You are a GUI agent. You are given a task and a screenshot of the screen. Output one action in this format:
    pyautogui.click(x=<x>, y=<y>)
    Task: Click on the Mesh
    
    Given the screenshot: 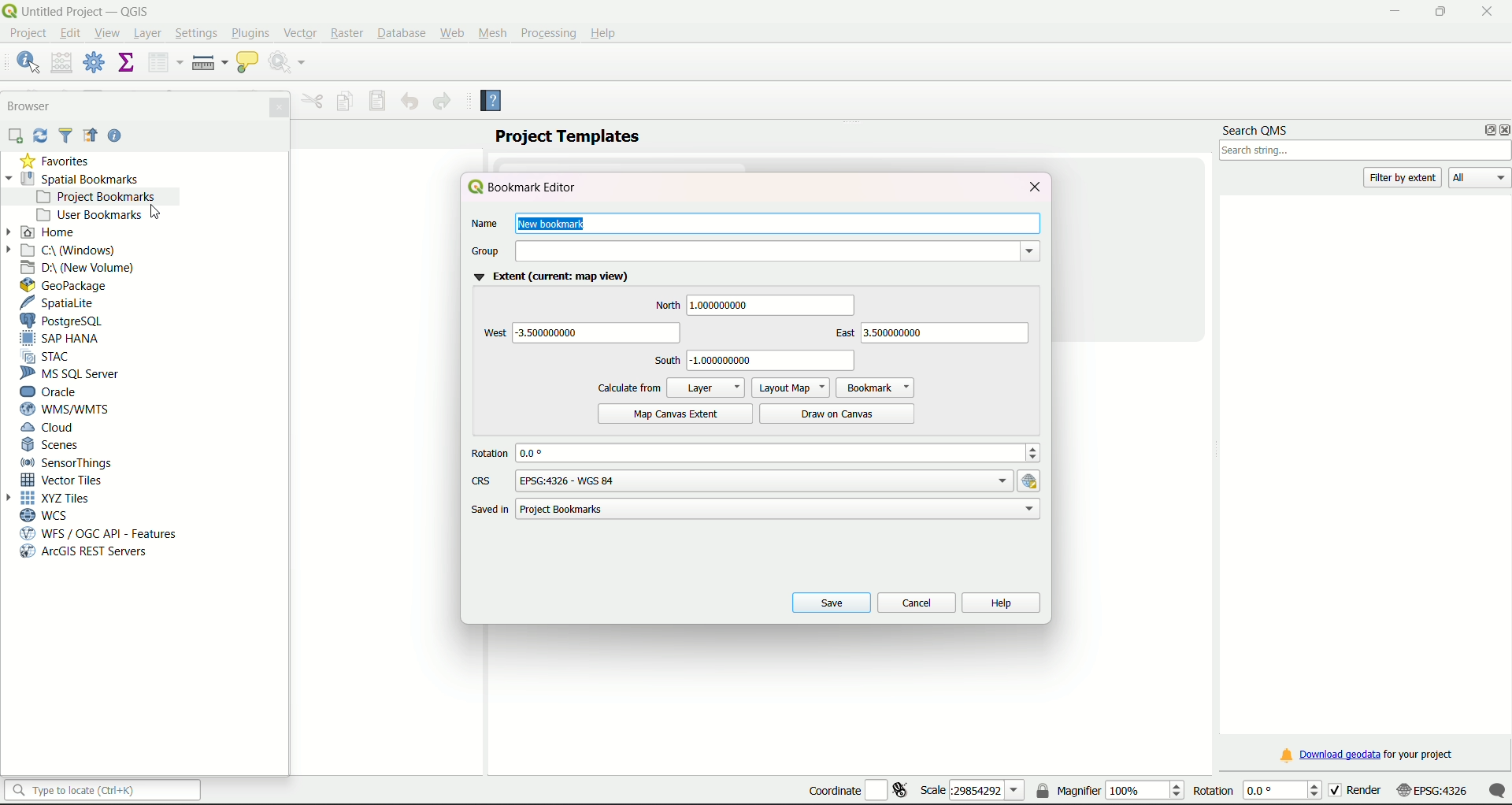 What is the action you would take?
    pyautogui.click(x=493, y=33)
    